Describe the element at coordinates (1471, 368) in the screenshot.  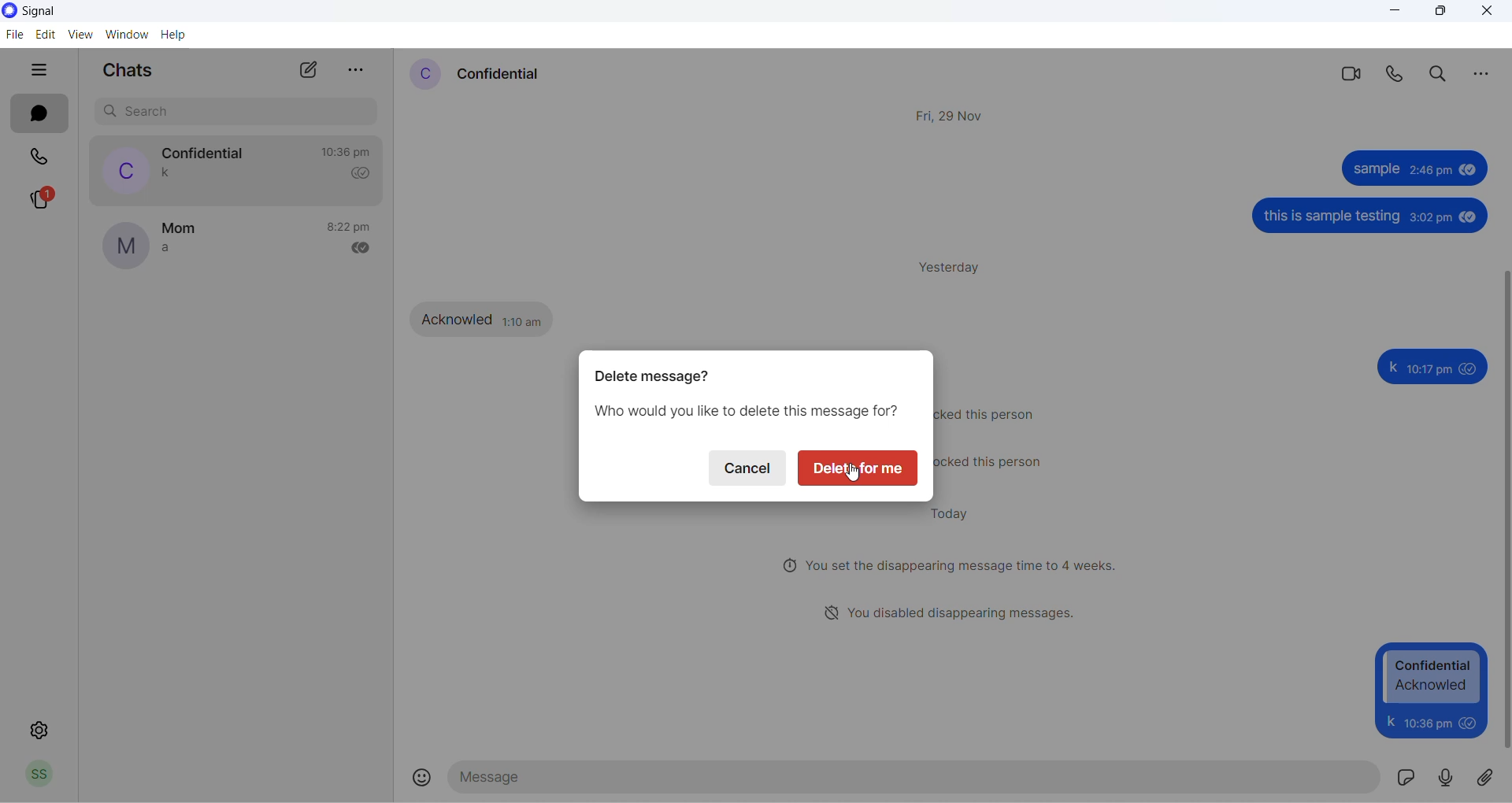
I see `seen` at that location.